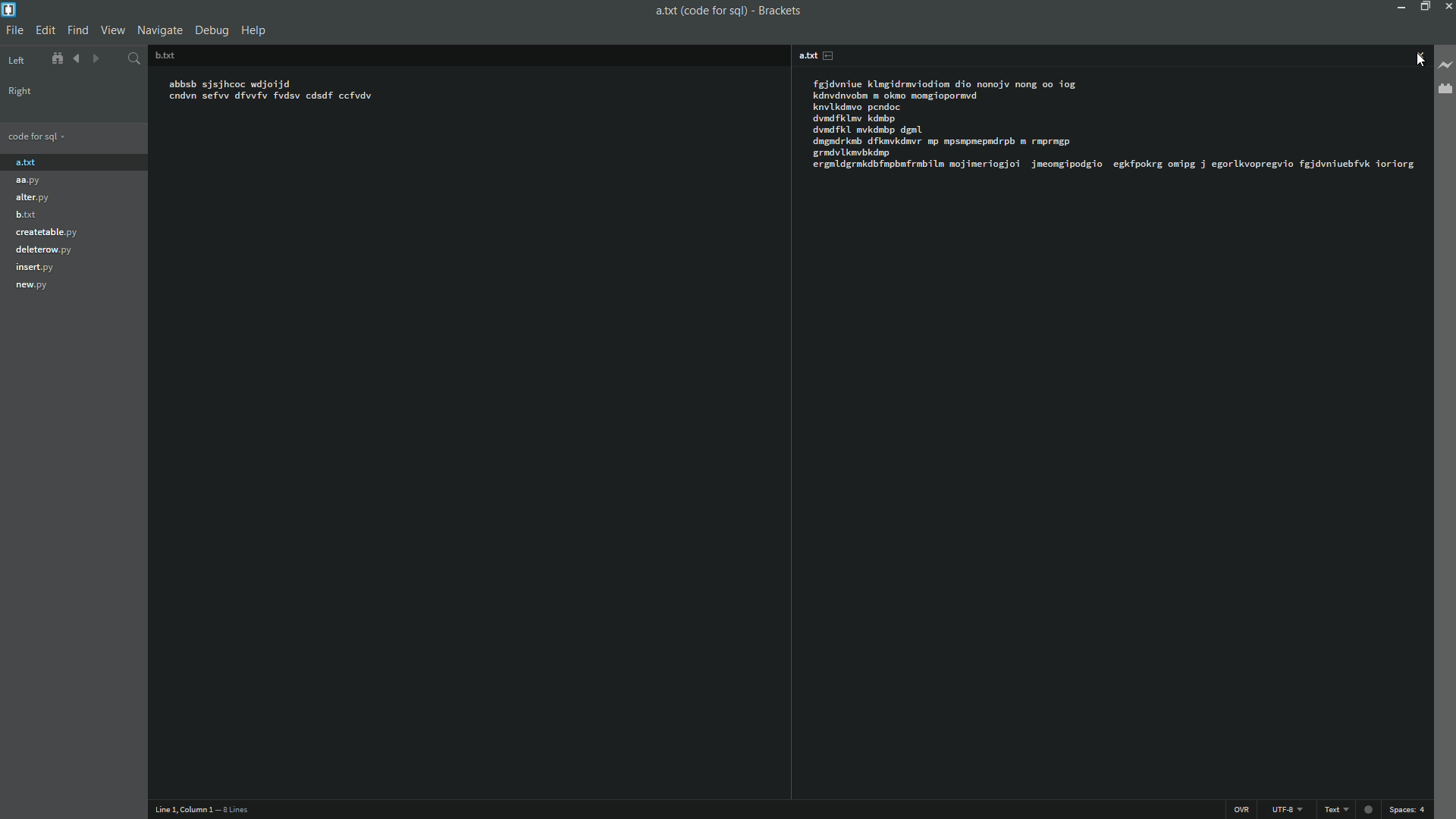  Describe the element at coordinates (36, 269) in the screenshot. I see `insert.py` at that location.